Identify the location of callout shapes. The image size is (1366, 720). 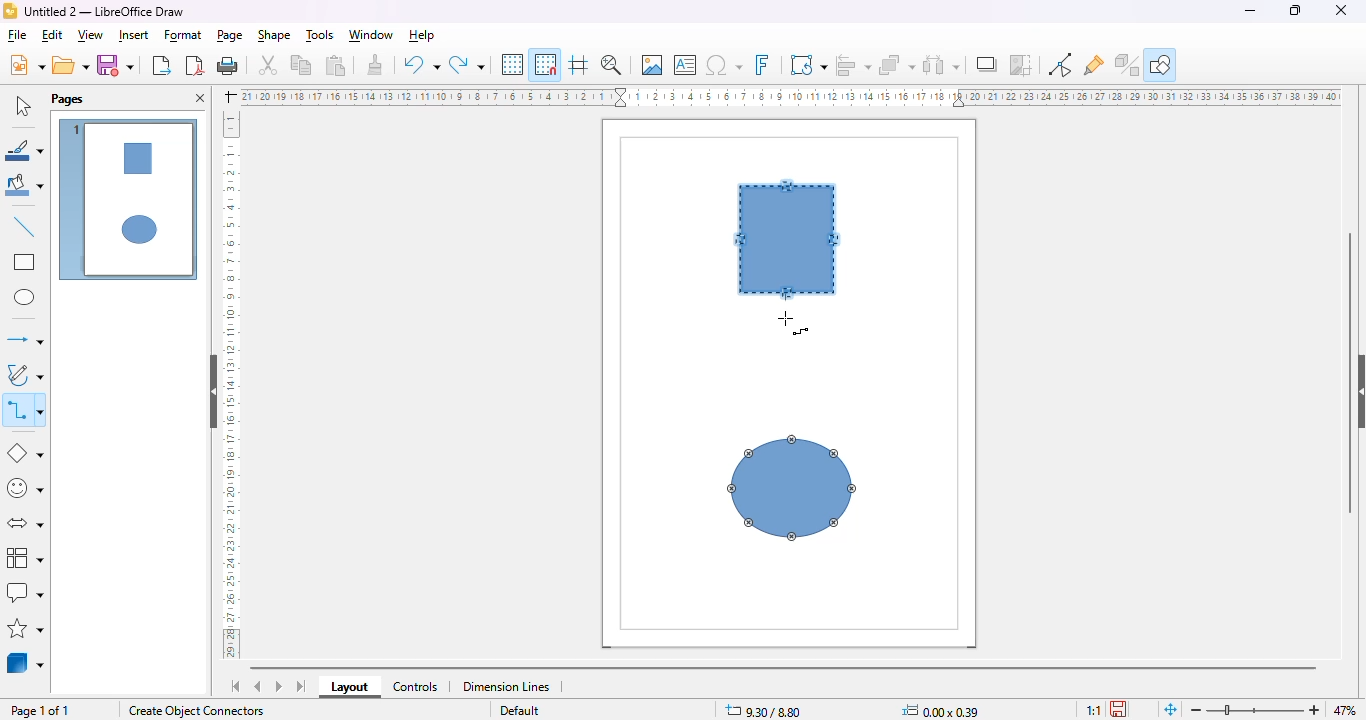
(26, 592).